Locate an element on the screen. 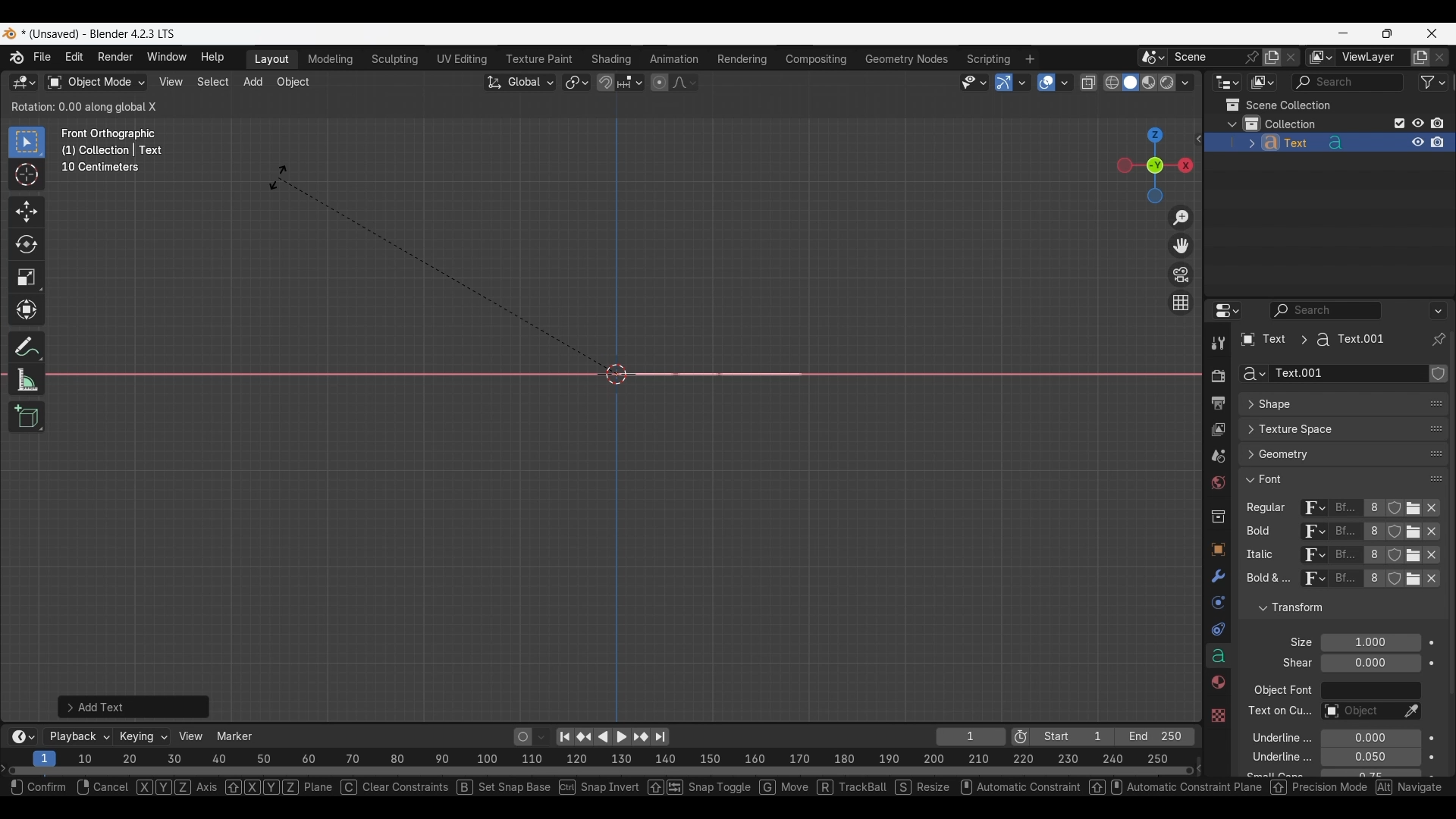 The image size is (1456, 819). Small caps is located at coordinates (1370, 773).